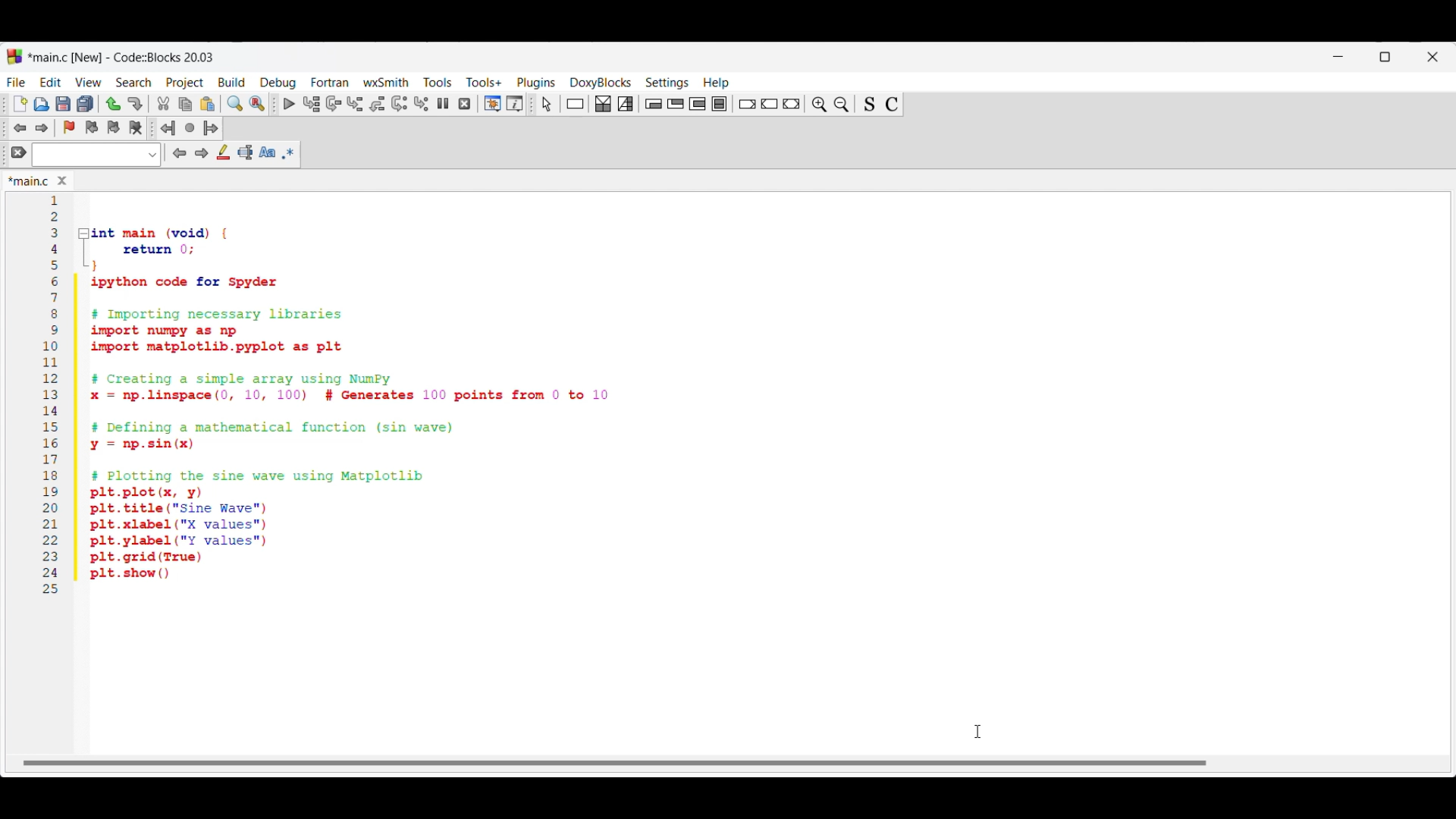  I want to click on Toggle source, so click(869, 105).